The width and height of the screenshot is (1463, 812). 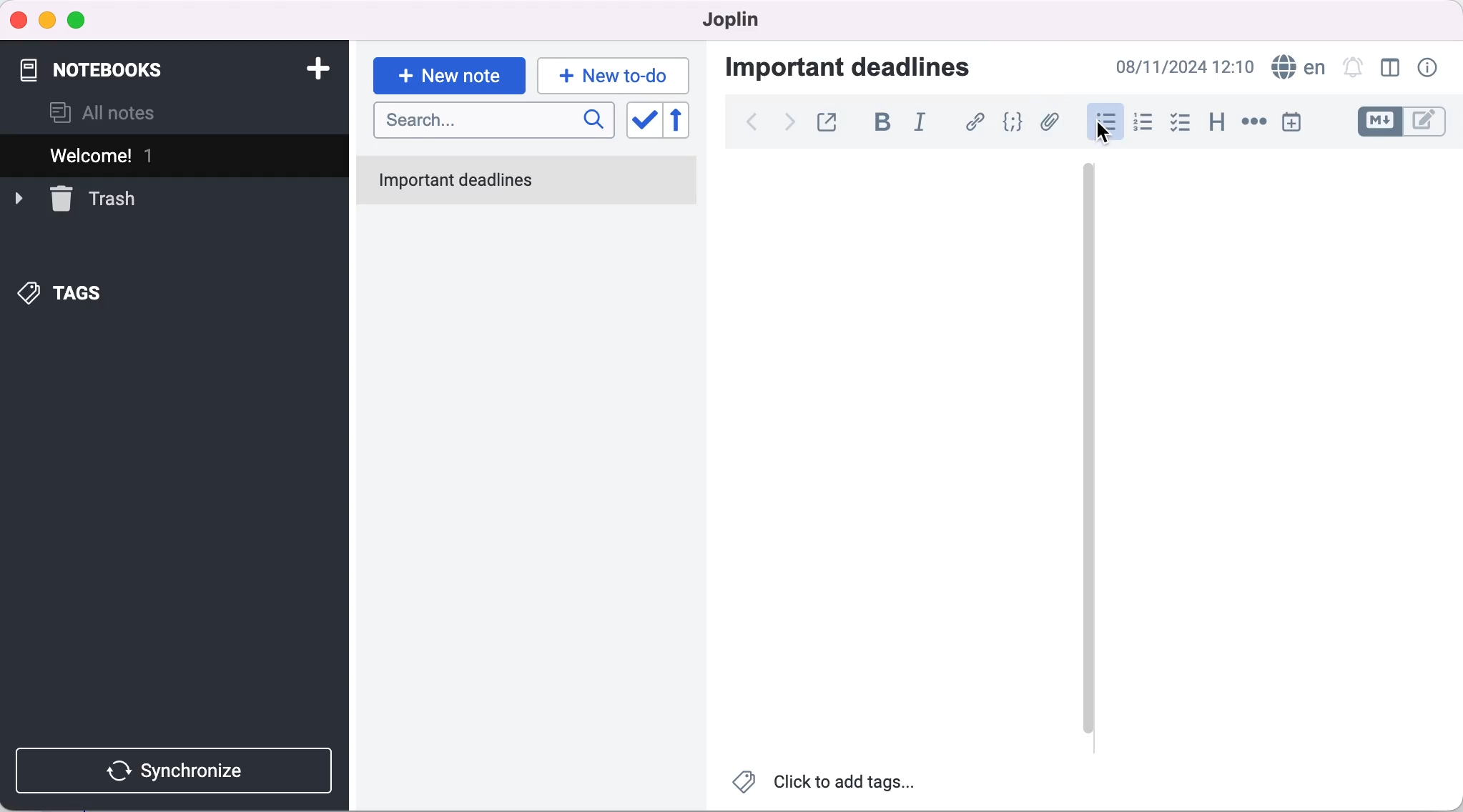 I want to click on attach file, so click(x=1049, y=122).